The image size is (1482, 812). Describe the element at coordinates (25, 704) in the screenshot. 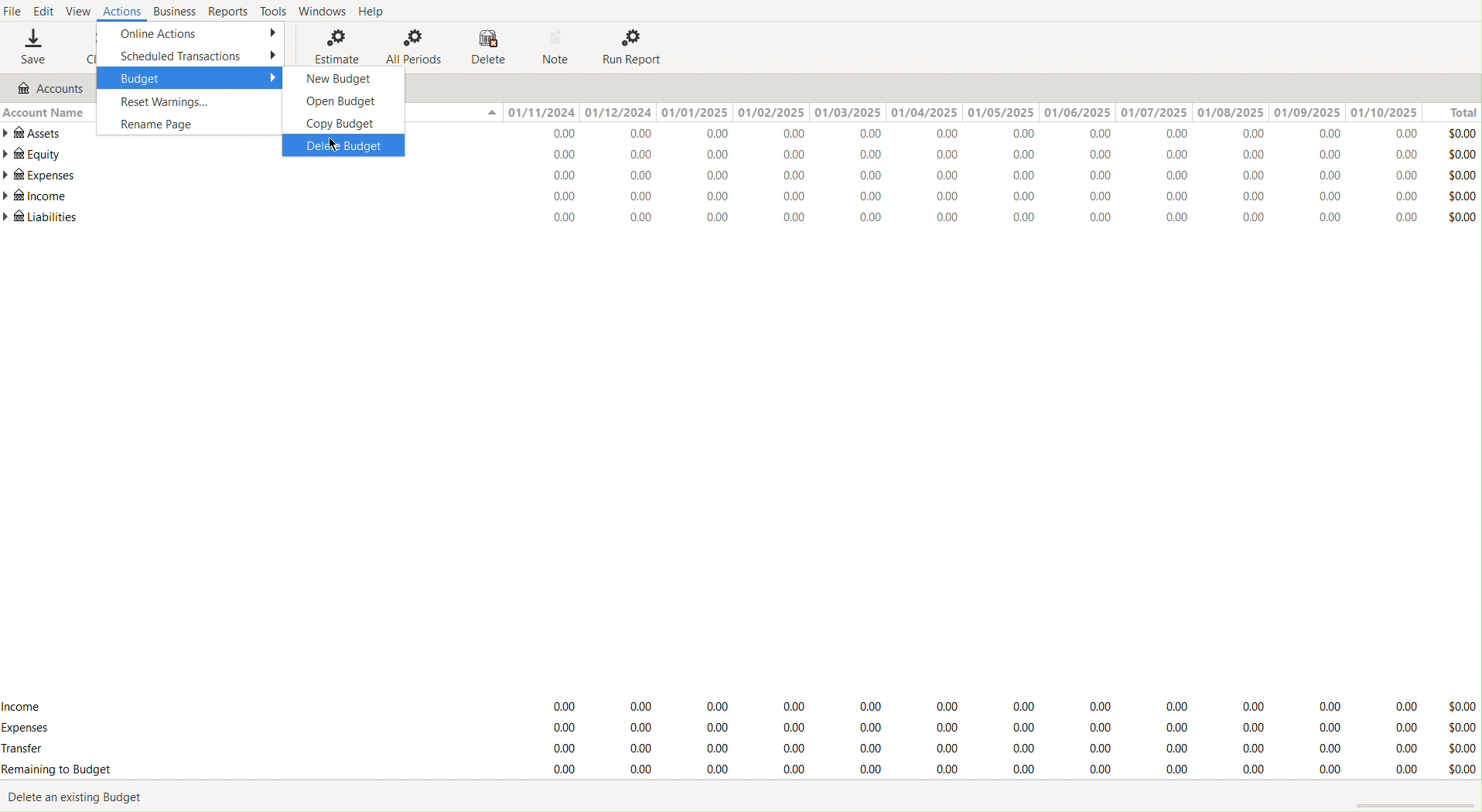

I see `Income` at that location.